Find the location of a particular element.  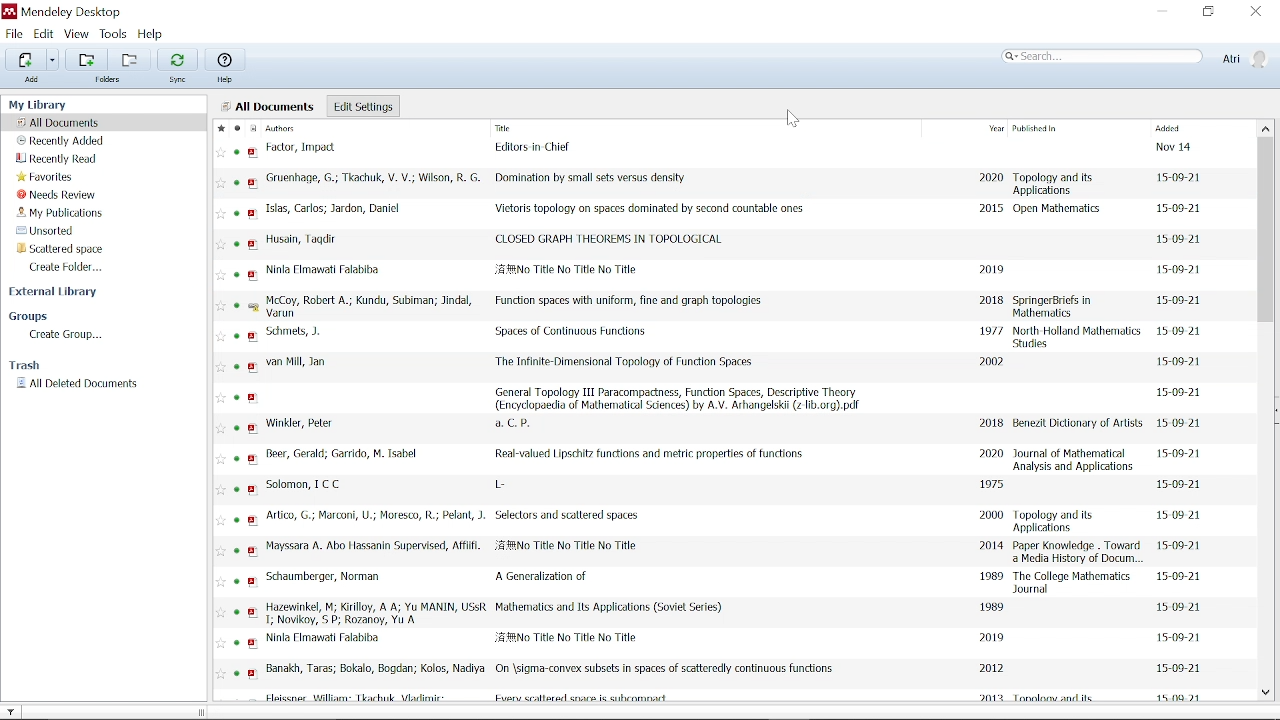

Published in is located at coordinates (1033, 128).